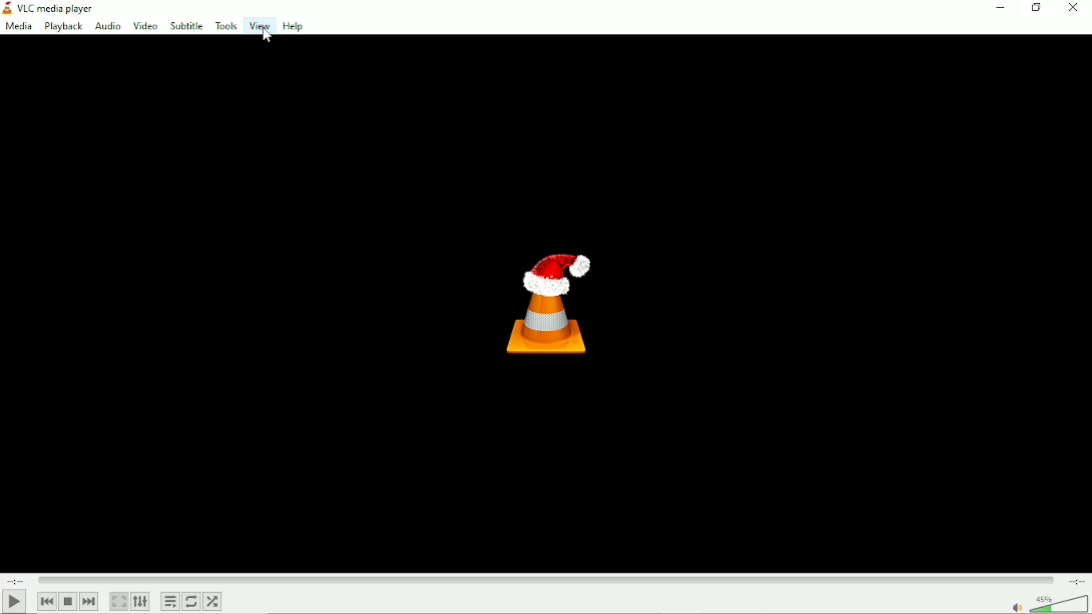  What do you see at coordinates (118, 602) in the screenshot?
I see `toggle video in fullscreen` at bounding box center [118, 602].